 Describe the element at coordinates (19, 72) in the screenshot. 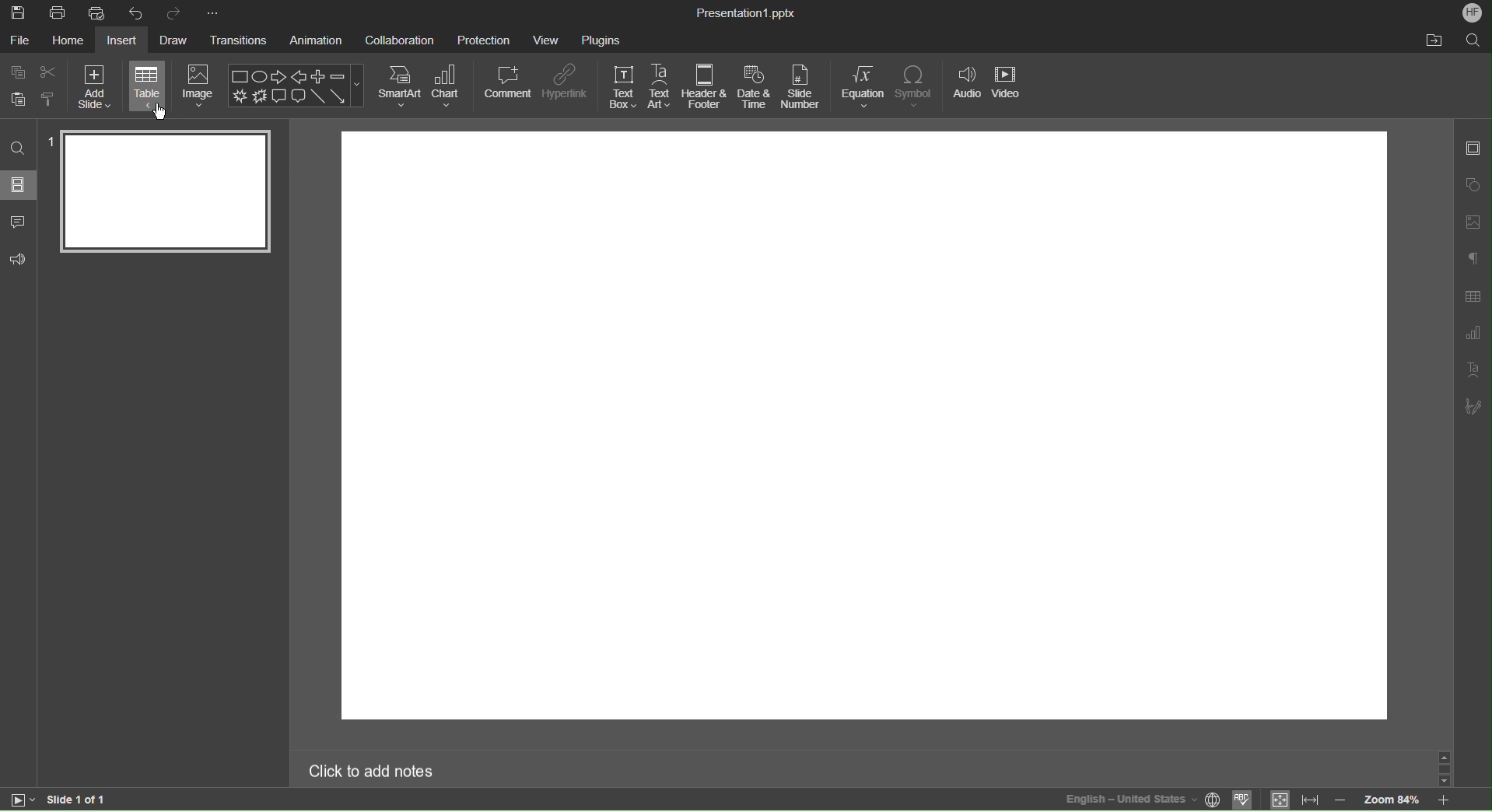

I see `Copy` at that location.